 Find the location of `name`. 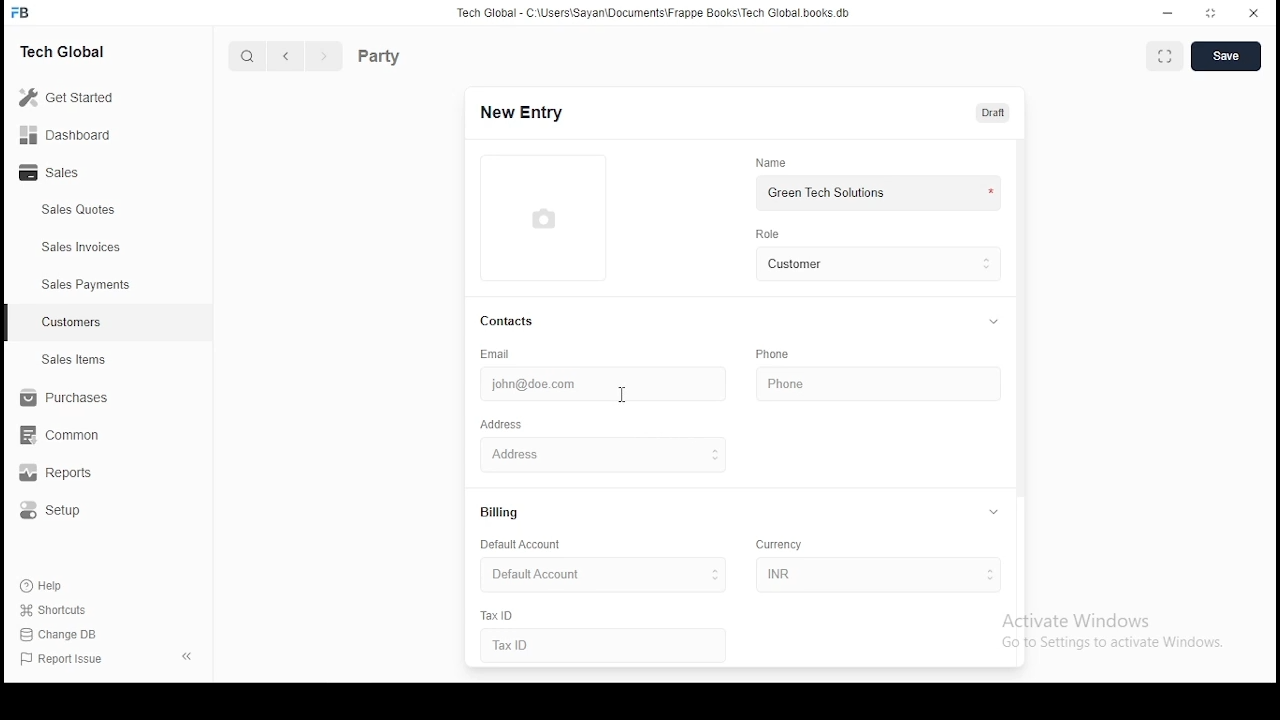

name is located at coordinates (776, 163).